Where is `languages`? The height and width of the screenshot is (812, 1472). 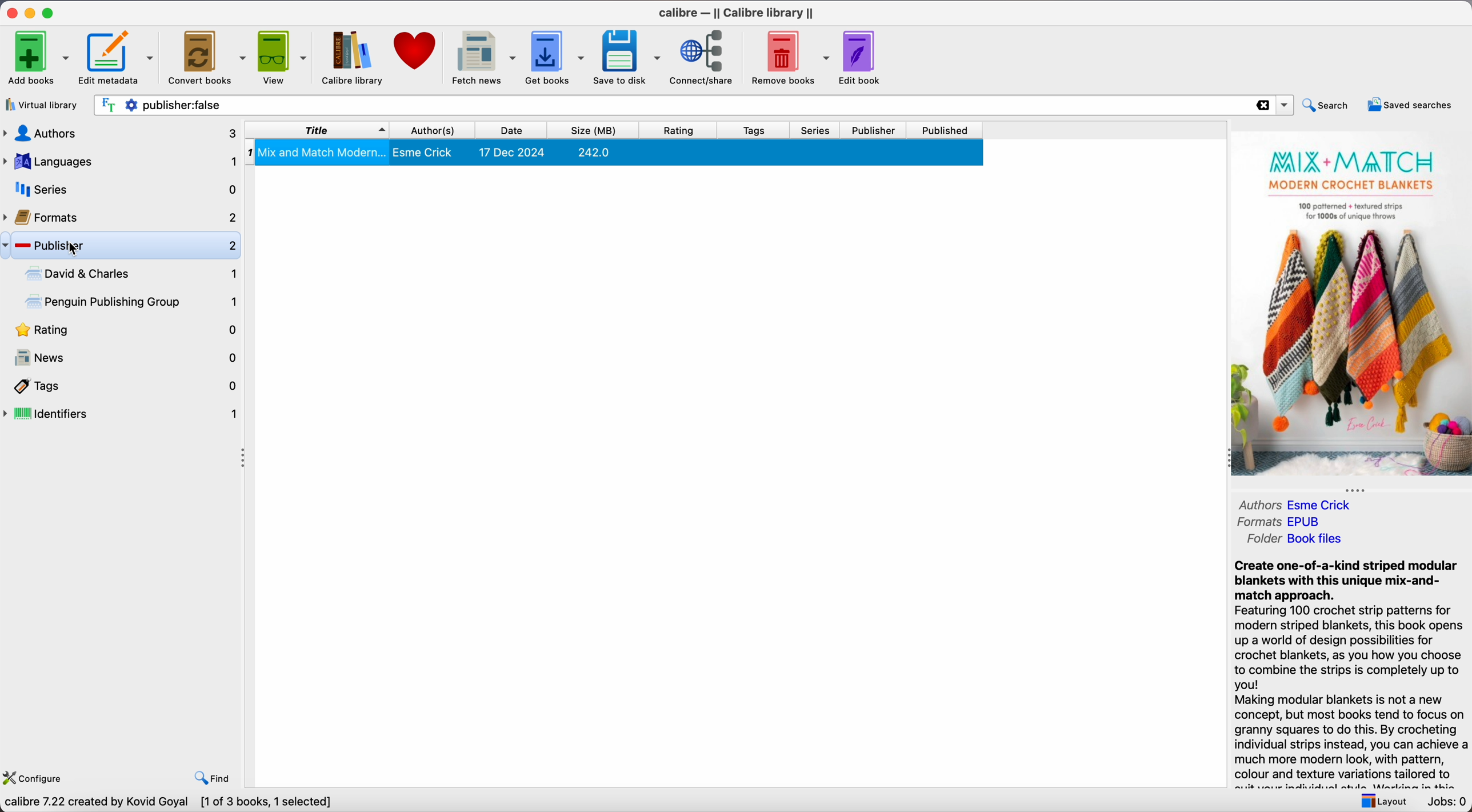 languages is located at coordinates (119, 162).